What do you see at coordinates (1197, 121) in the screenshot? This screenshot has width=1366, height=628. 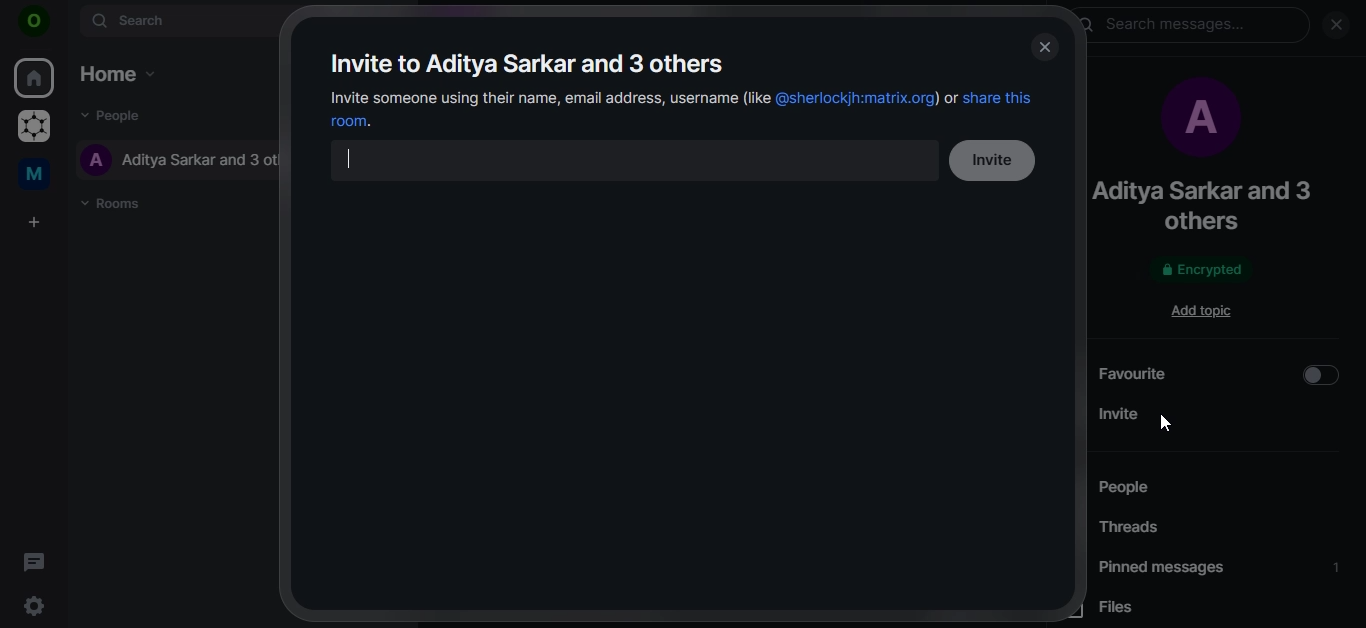 I see `profile picture` at bounding box center [1197, 121].